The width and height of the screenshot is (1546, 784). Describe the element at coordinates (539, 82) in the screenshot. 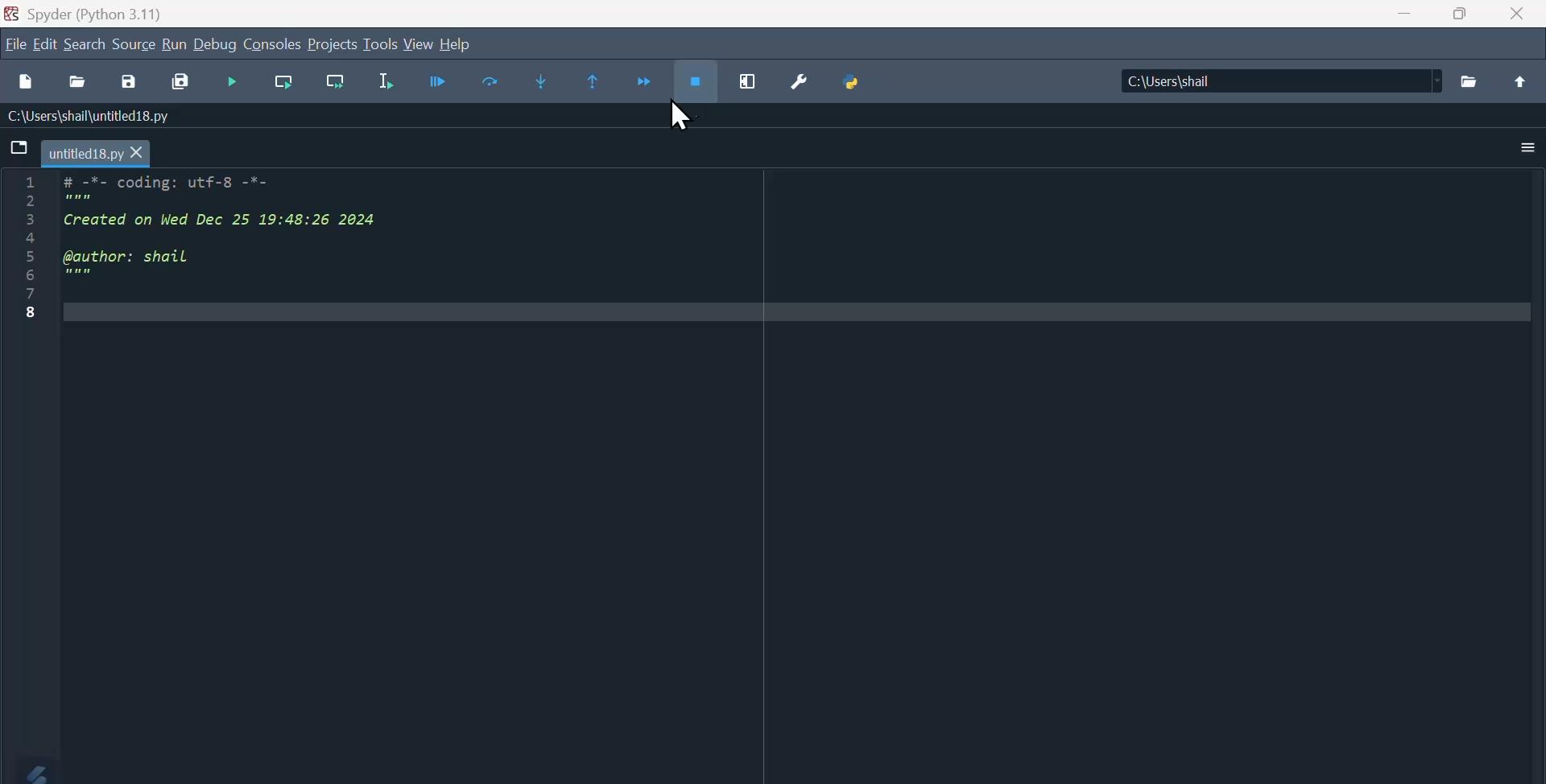

I see `Step into current function` at that location.